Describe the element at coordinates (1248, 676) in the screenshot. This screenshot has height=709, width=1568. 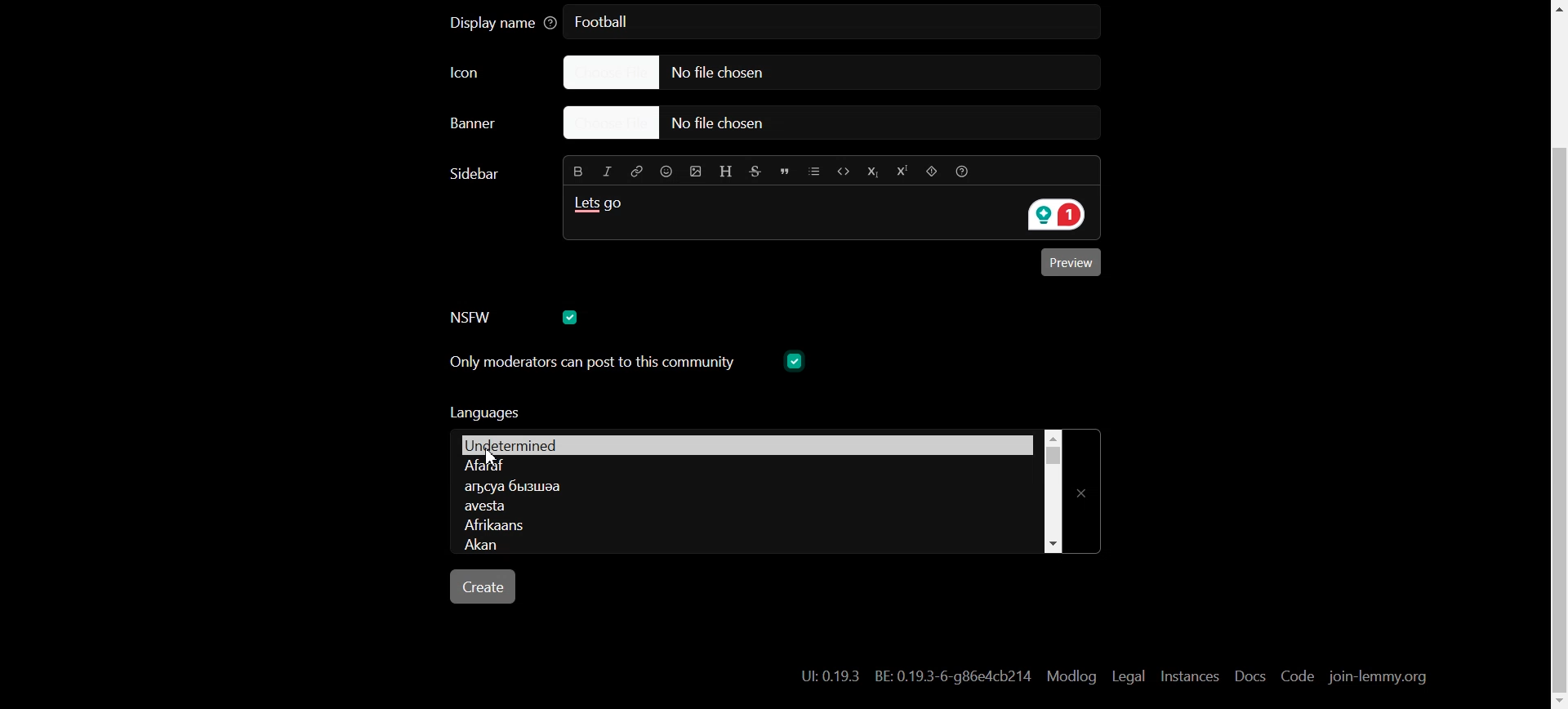
I see `Docs` at that location.